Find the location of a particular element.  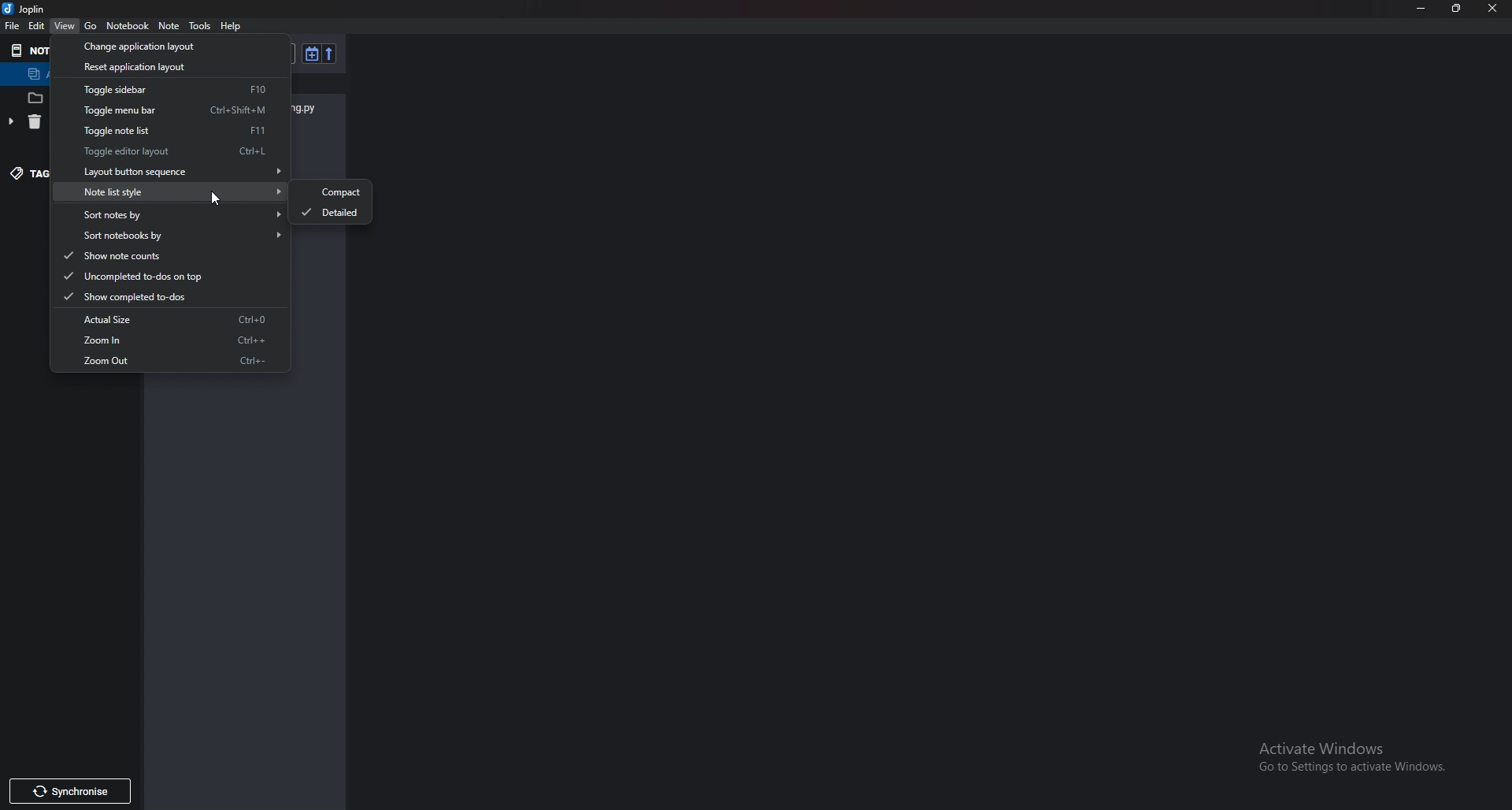

files is located at coordinates (34, 96).